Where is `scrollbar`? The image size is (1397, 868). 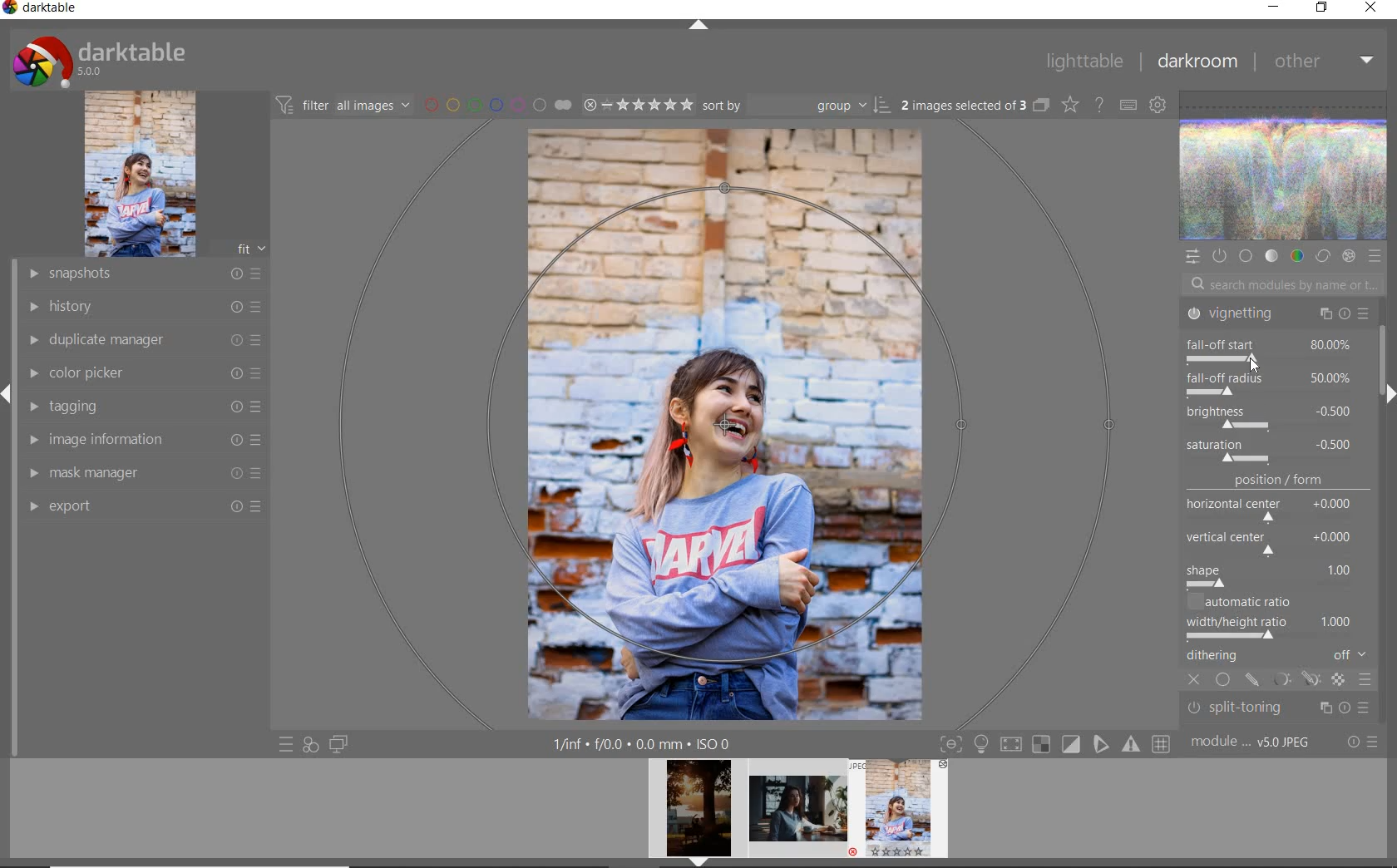 scrollbar is located at coordinates (1388, 353).